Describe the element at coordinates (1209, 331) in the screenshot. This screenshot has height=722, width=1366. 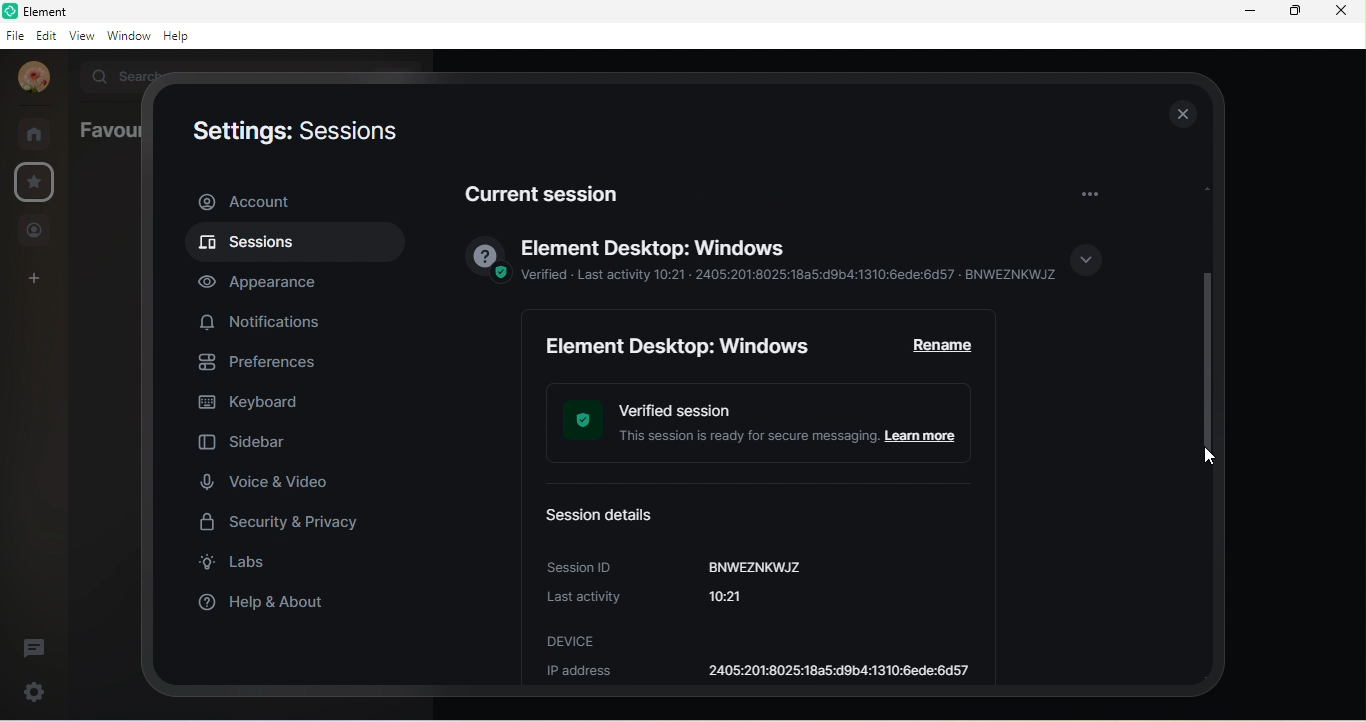
I see `vertical scroll bar` at that location.